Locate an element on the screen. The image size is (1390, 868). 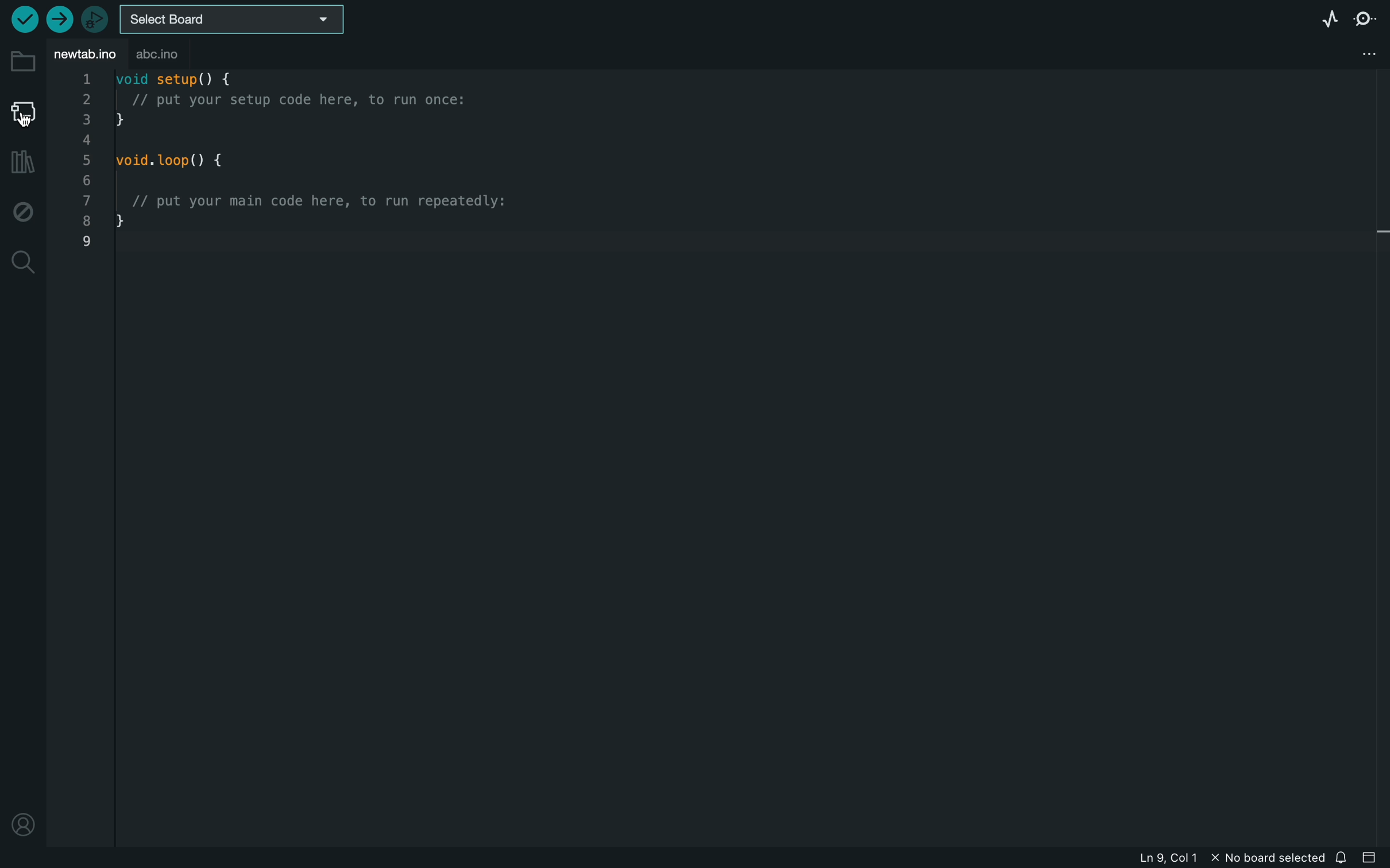
debug is located at coordinates (20, 208).